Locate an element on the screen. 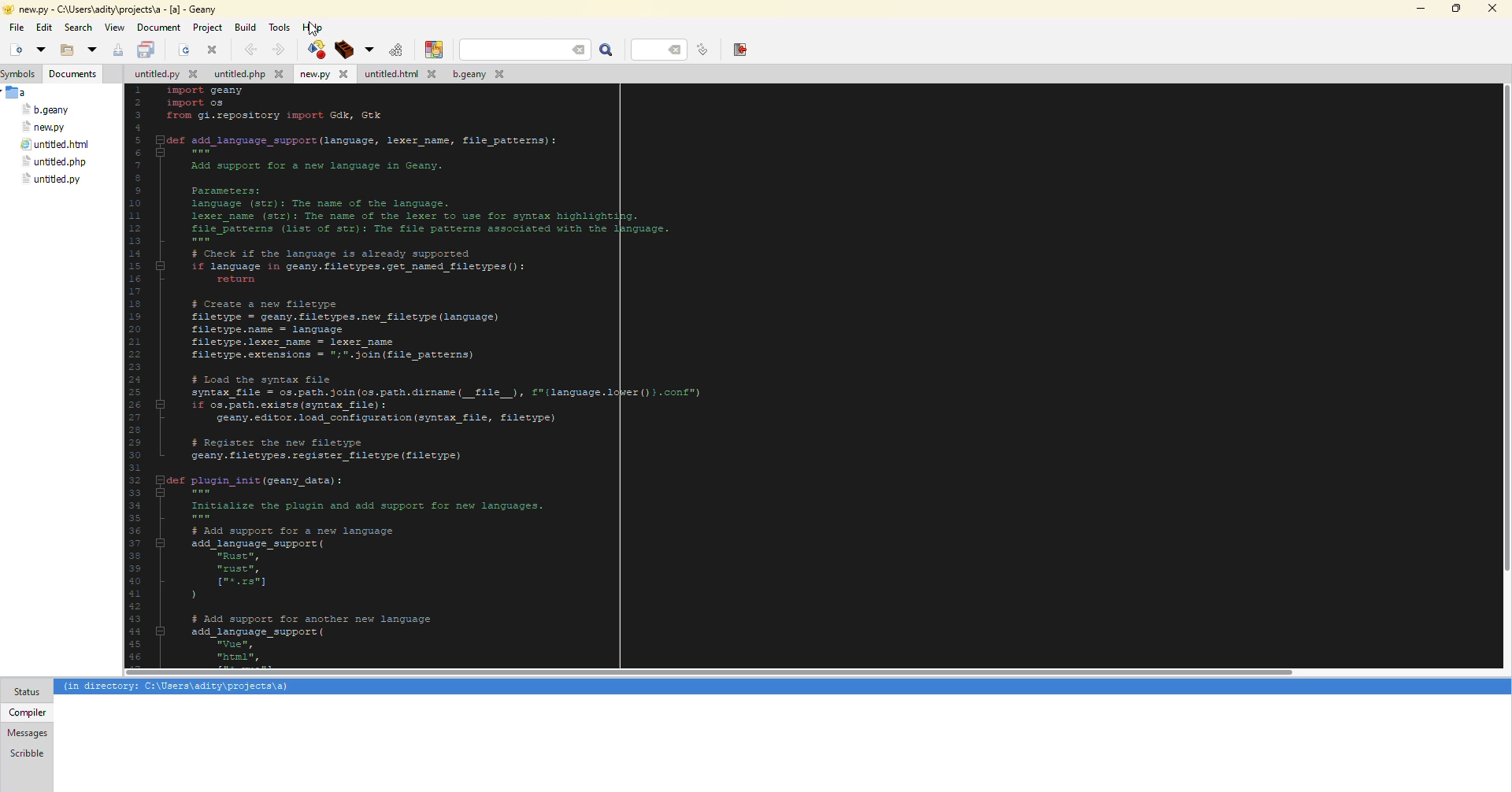 Image resolution: width=1512 pixels, height=792 pixels. a is located at coordinates (18, 92).